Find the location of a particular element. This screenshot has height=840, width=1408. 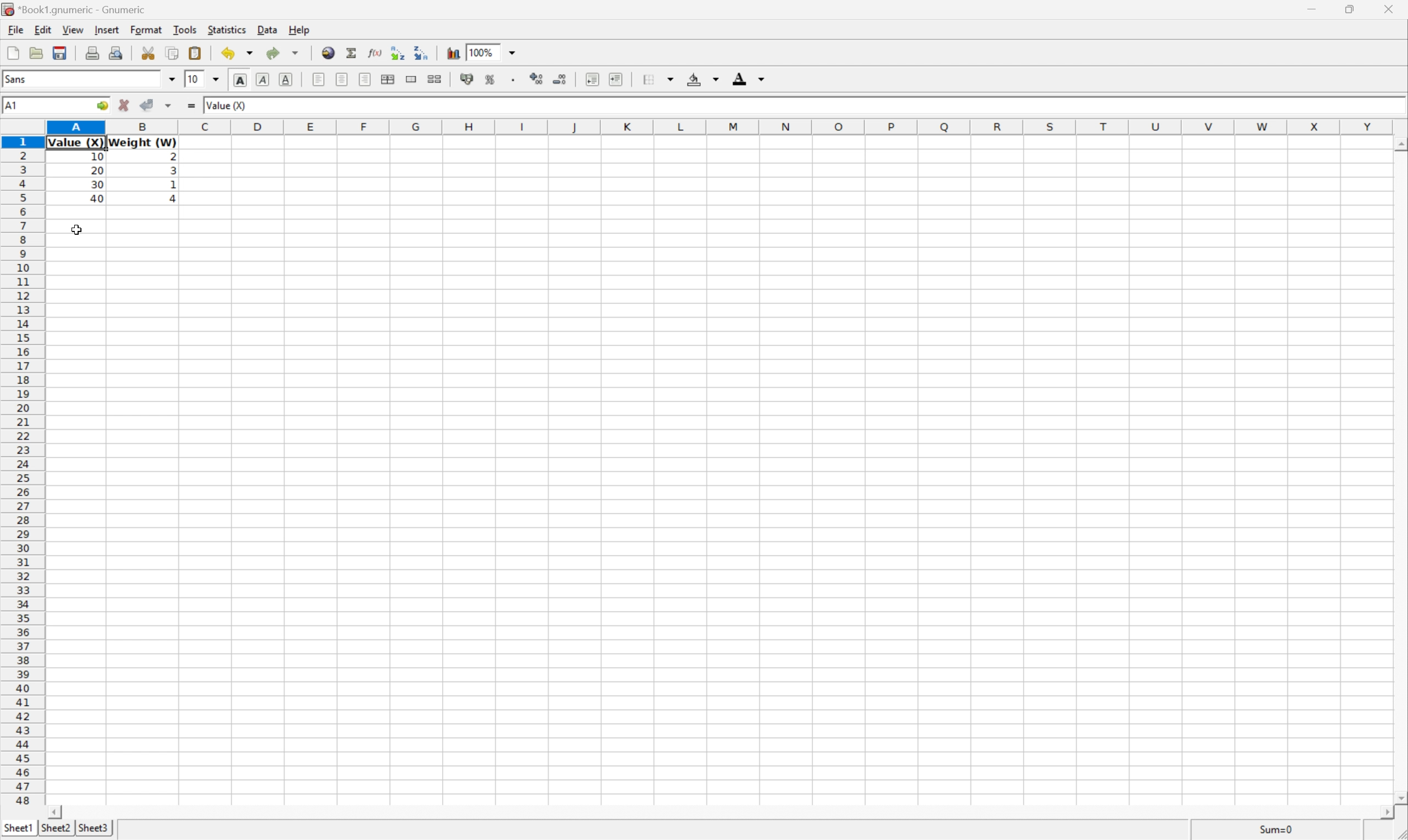

Increase indent, and align the contents to the left is located at coordinates (592, 79).